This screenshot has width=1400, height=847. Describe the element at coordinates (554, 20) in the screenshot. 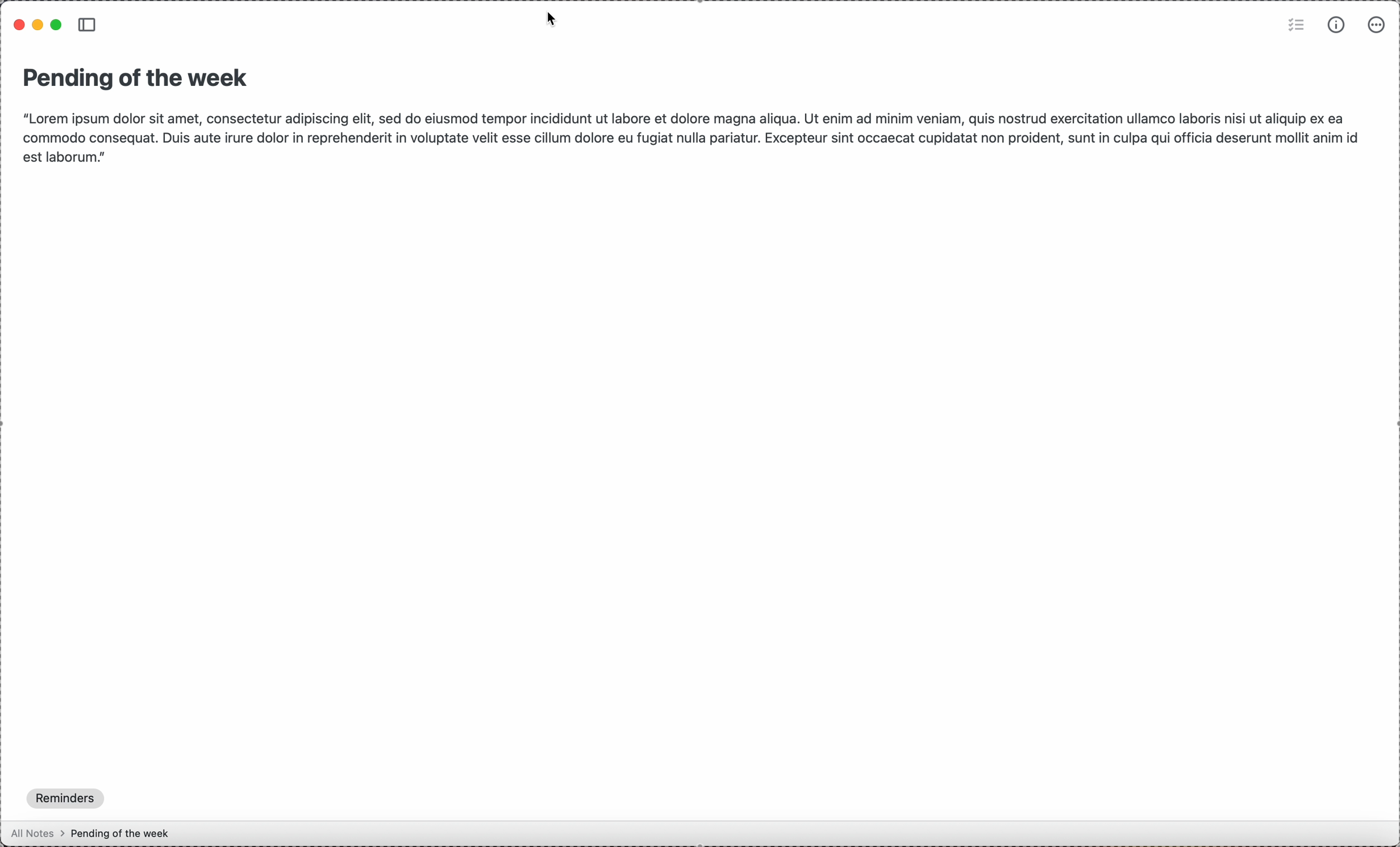

I see `cursor` at that location.